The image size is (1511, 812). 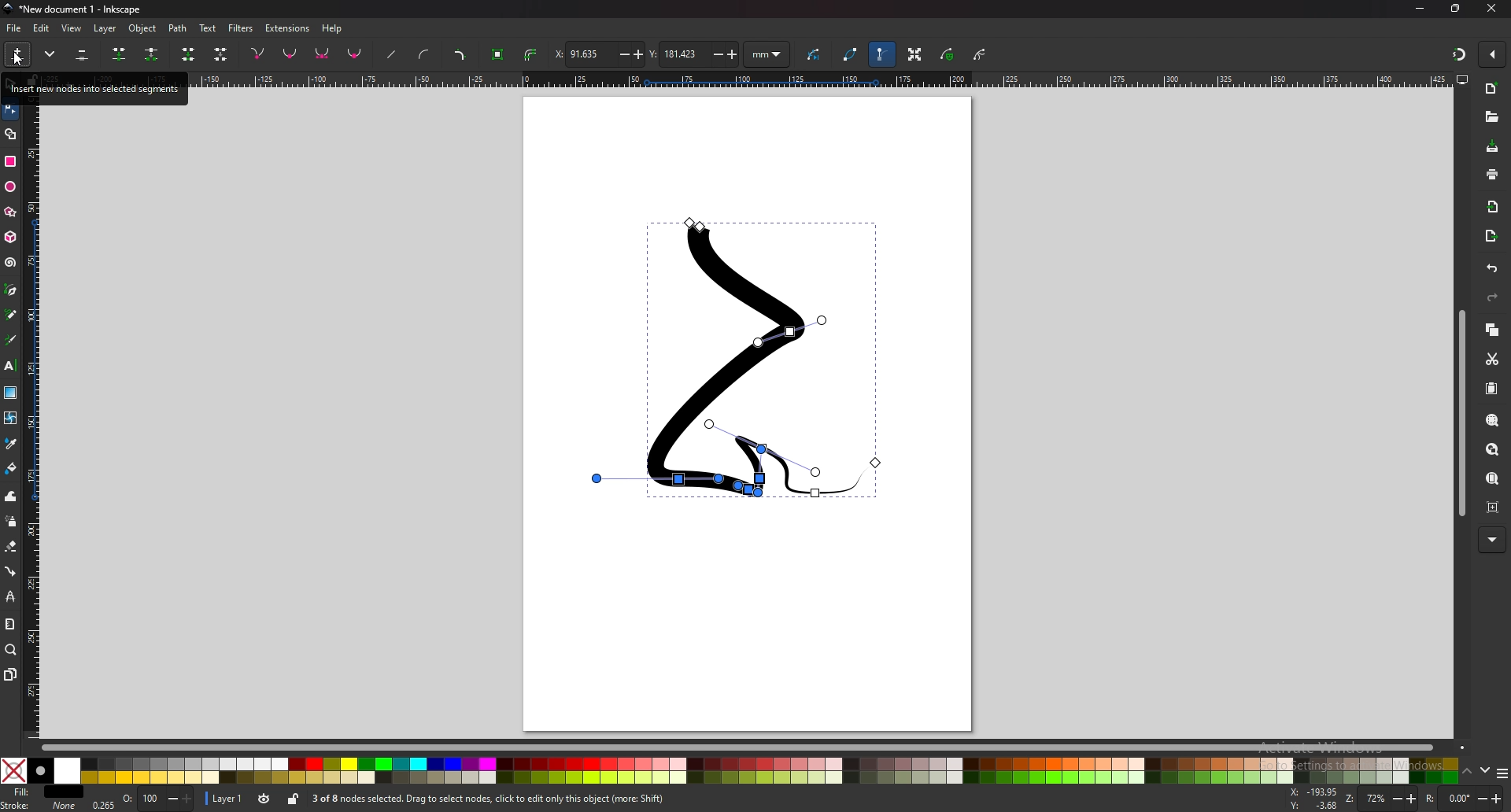 What do you see at coordinates (391, 54) in the screenshot?
I see `straighten lines` at bounding box center [391, 54].